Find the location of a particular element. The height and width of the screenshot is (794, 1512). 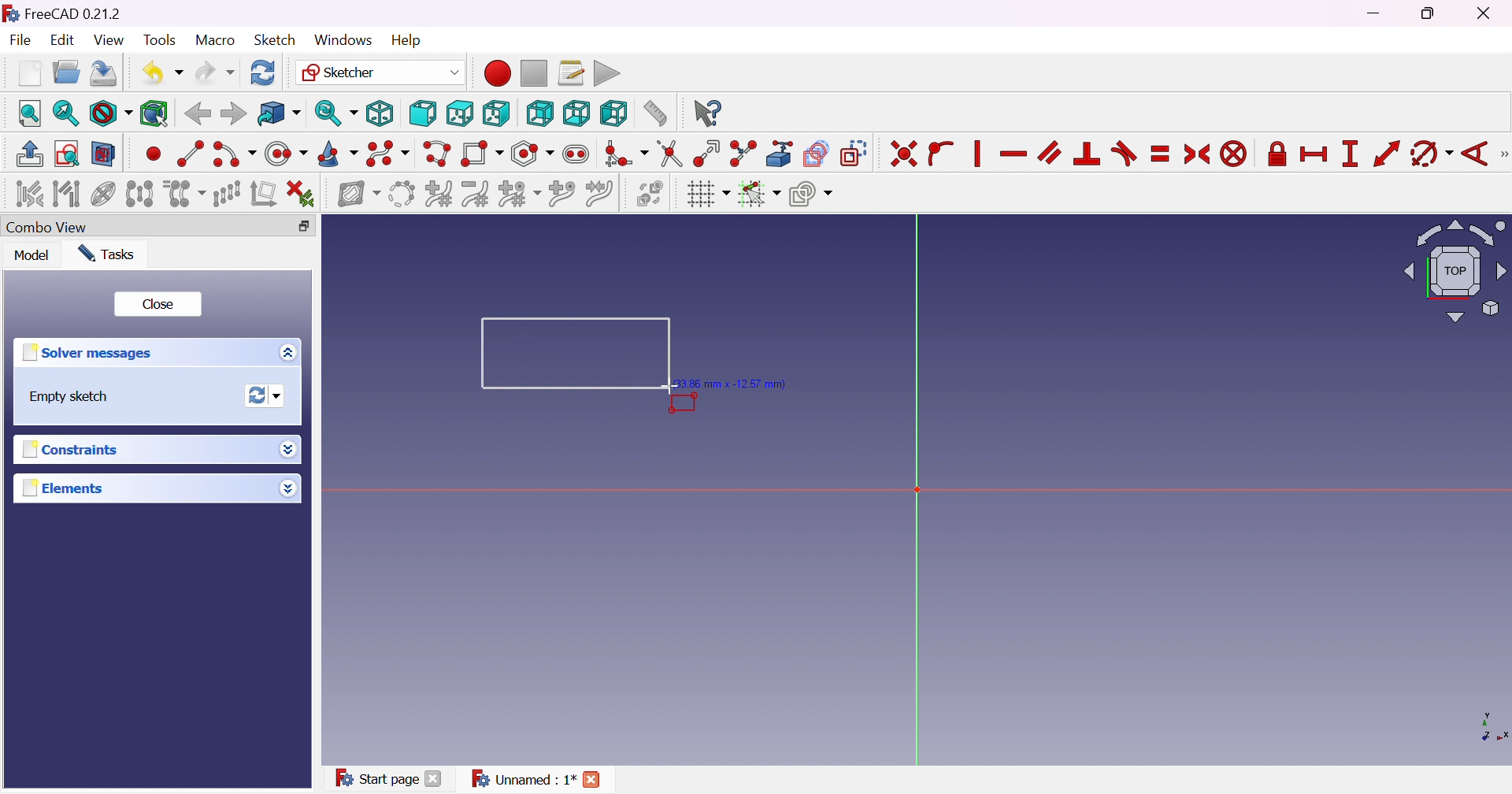

Constrain perpendicular is located at coordinates (1088, 154).